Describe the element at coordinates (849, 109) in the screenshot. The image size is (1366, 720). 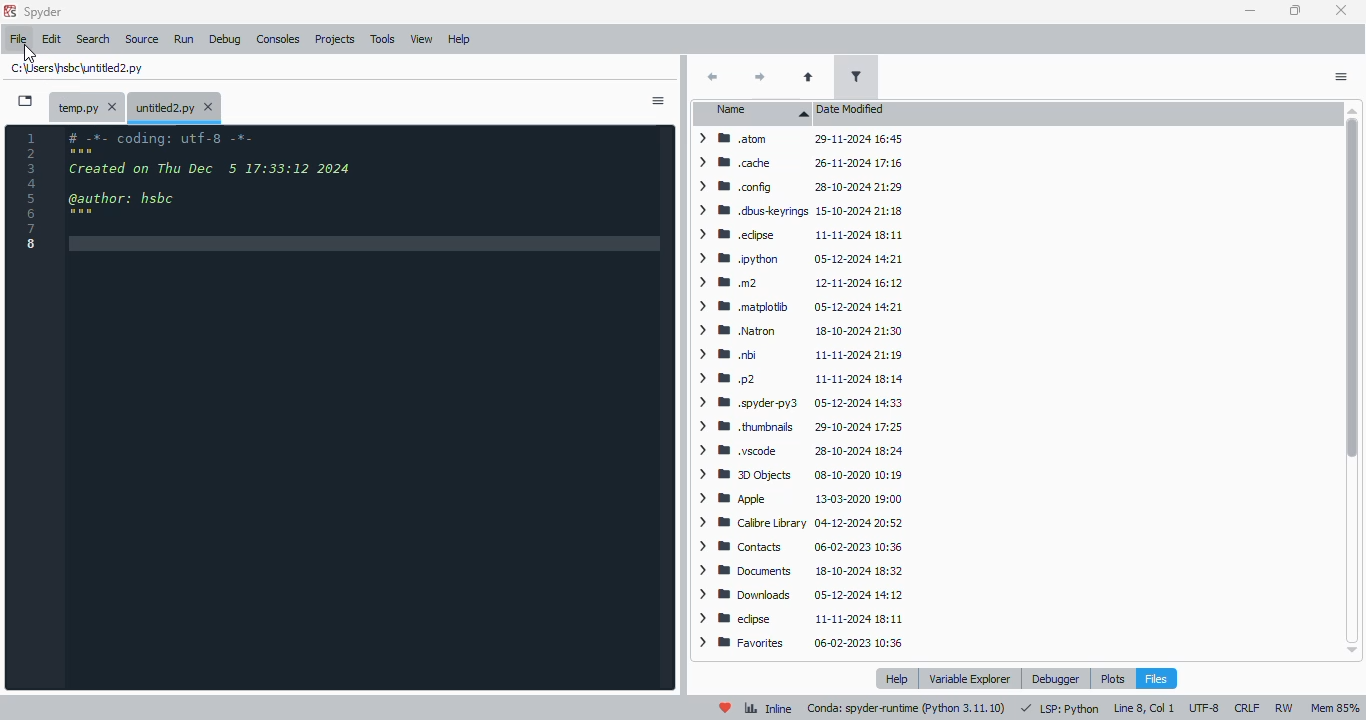
I see `date modified` at that location.